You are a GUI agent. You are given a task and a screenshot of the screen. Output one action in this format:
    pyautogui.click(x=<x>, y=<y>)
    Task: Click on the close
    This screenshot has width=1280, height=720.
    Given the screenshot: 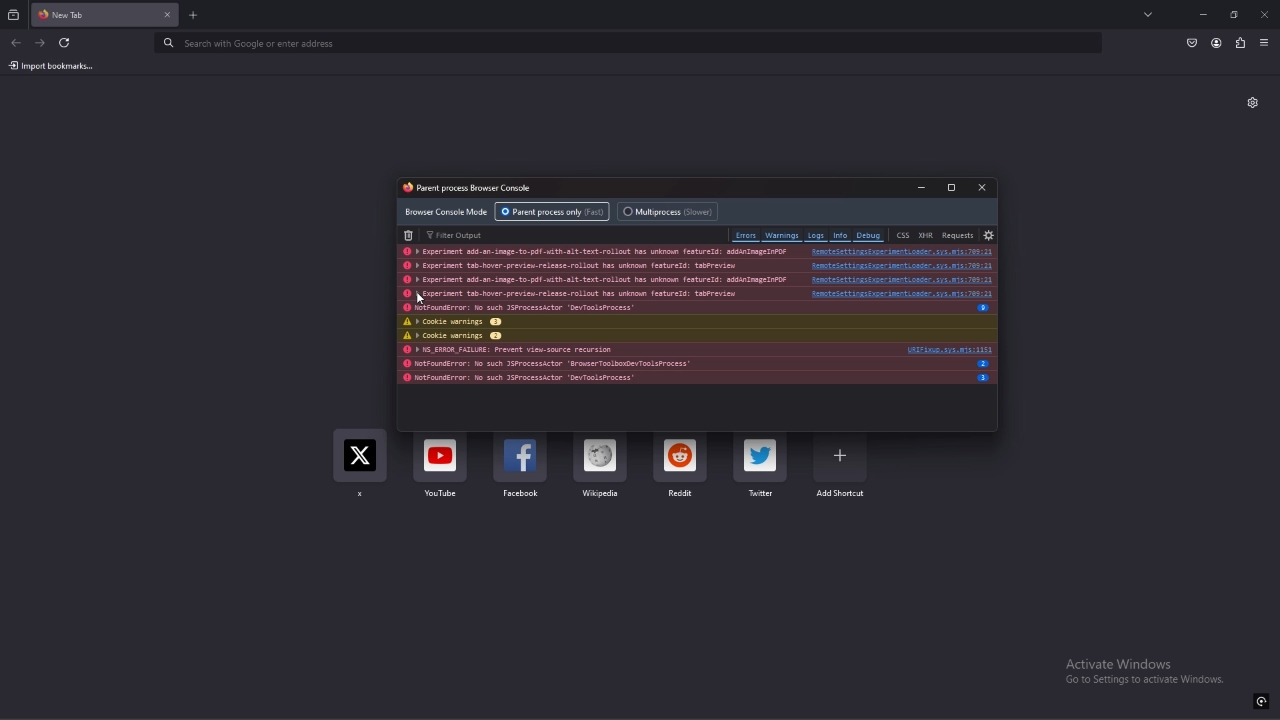 What is the action you would take?
    pyautogui.click(x=982, y=187)
    